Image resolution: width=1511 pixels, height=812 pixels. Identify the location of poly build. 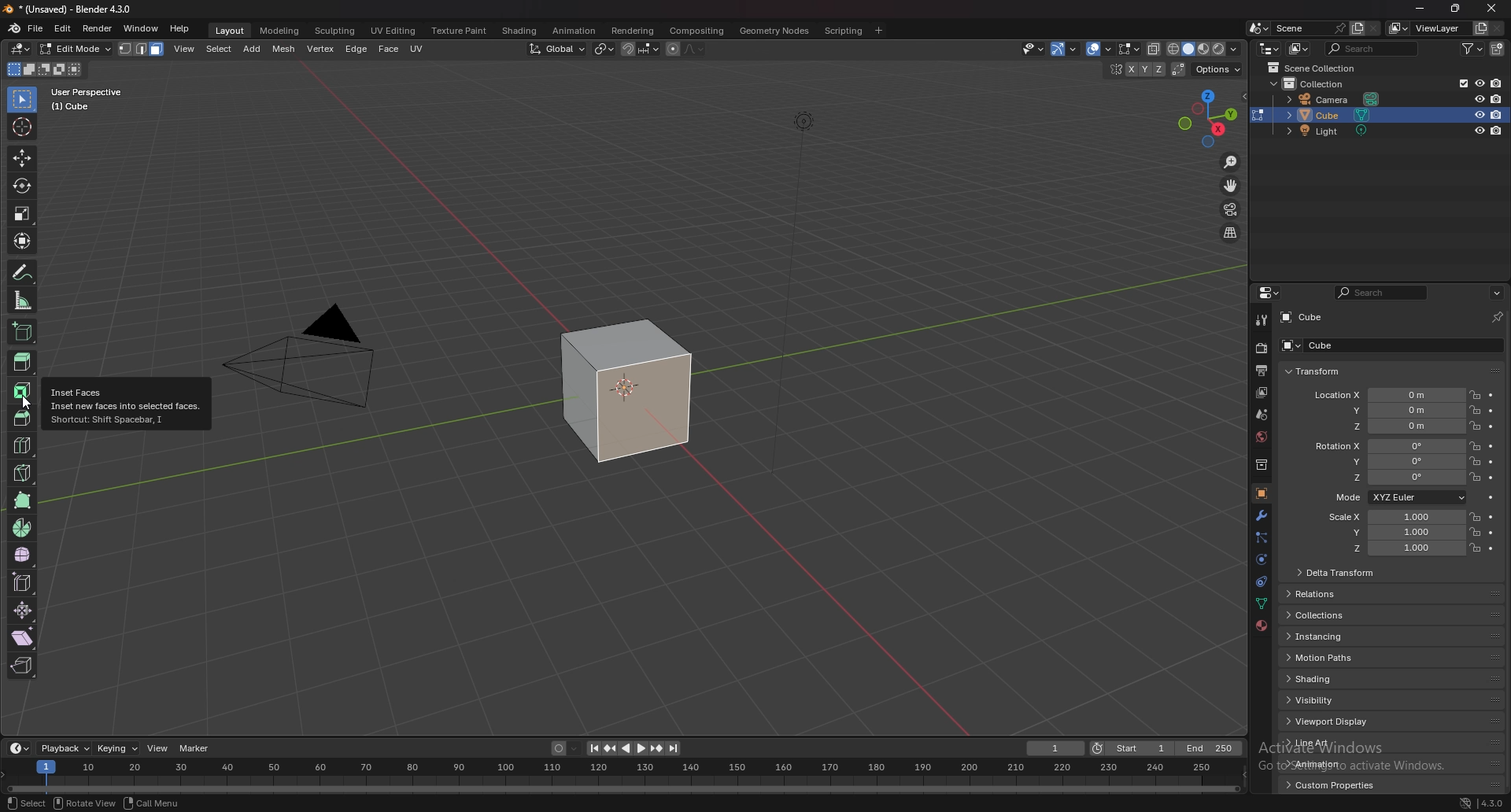
(24, 500).